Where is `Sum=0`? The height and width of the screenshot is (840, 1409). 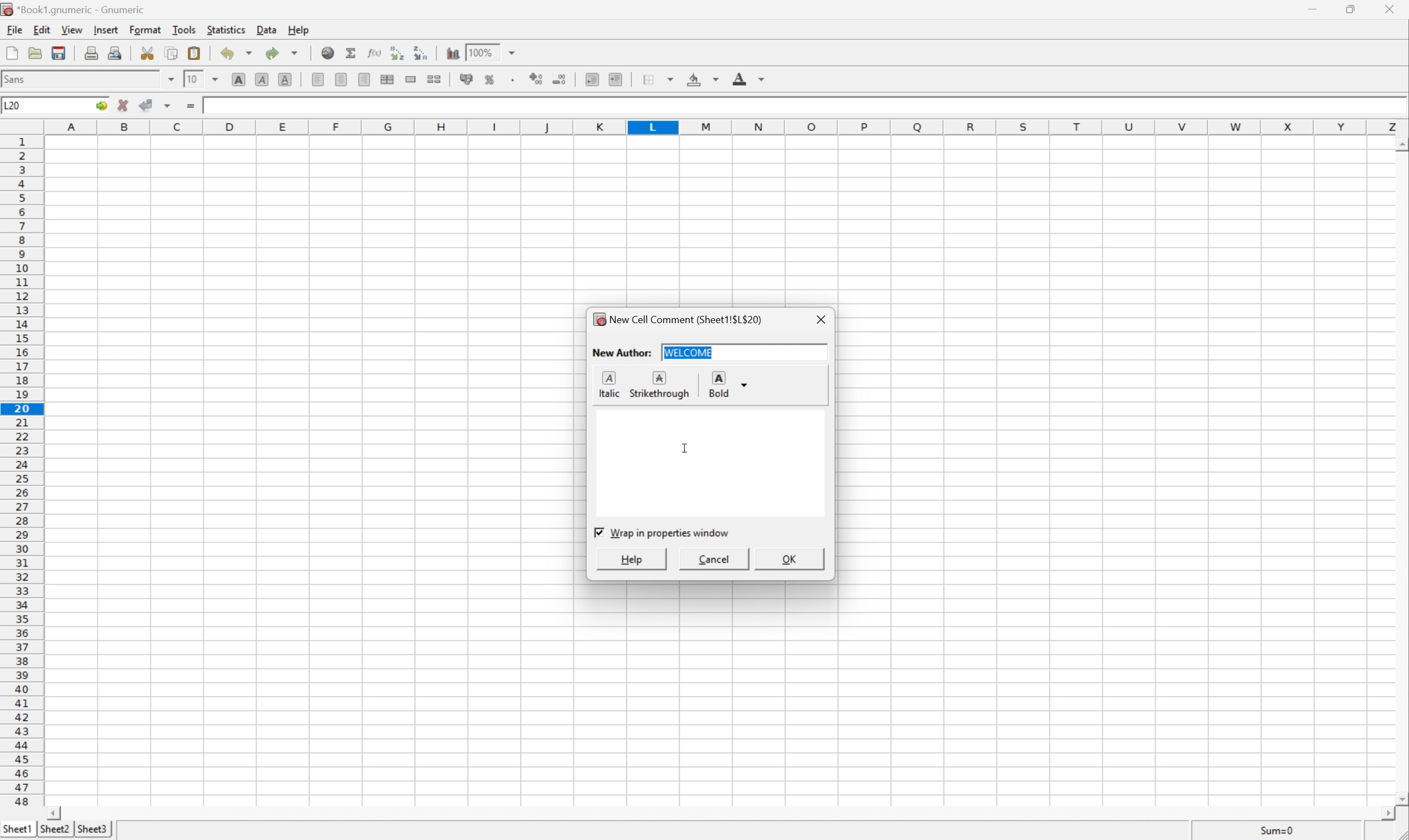 Sum=0 is located at coordinates (1274, 831).